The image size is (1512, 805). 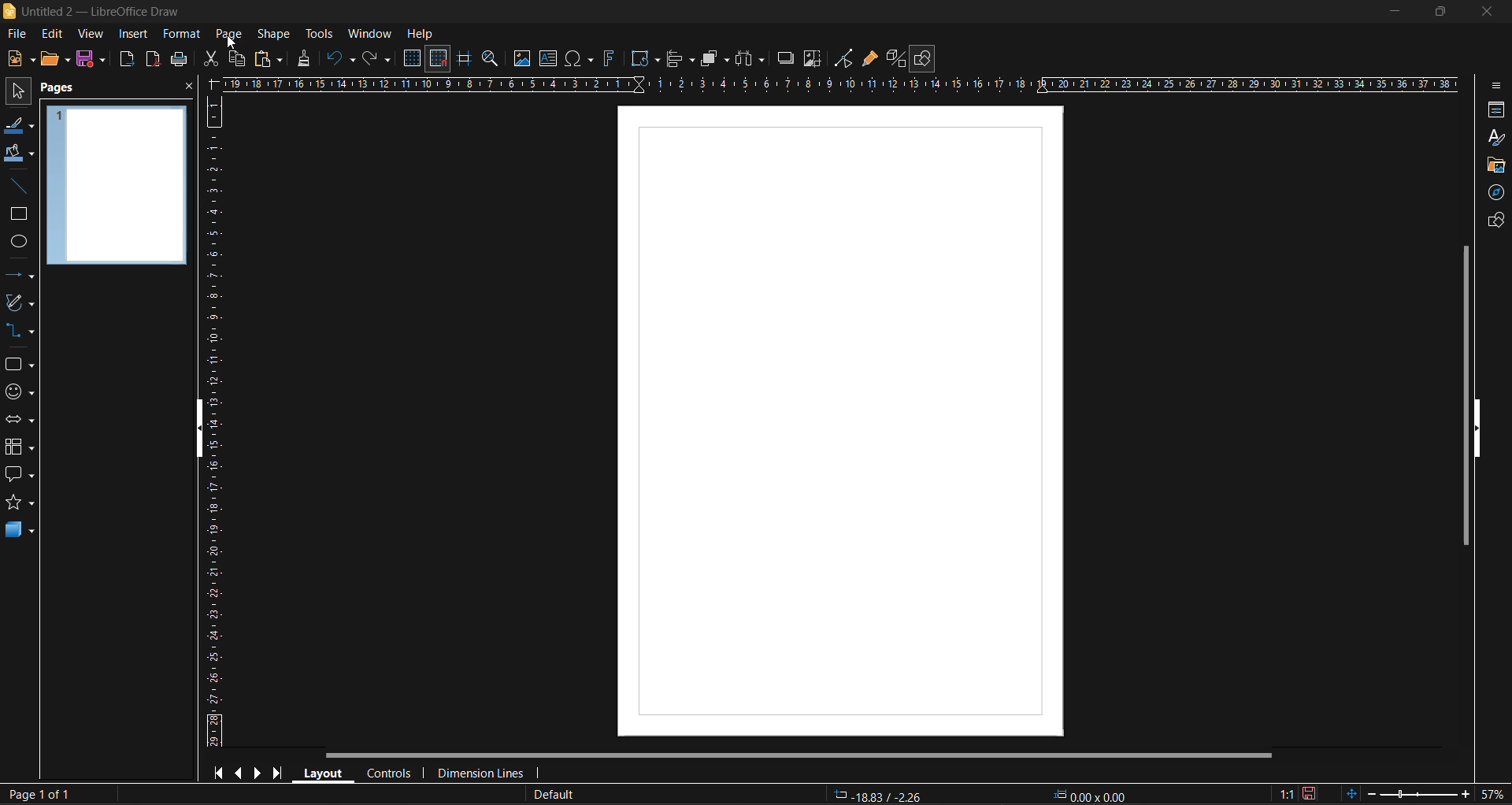 What do you see at coordinates (220, 774) in the screenshot?
I see `first ` at bounding box center [220, 774].